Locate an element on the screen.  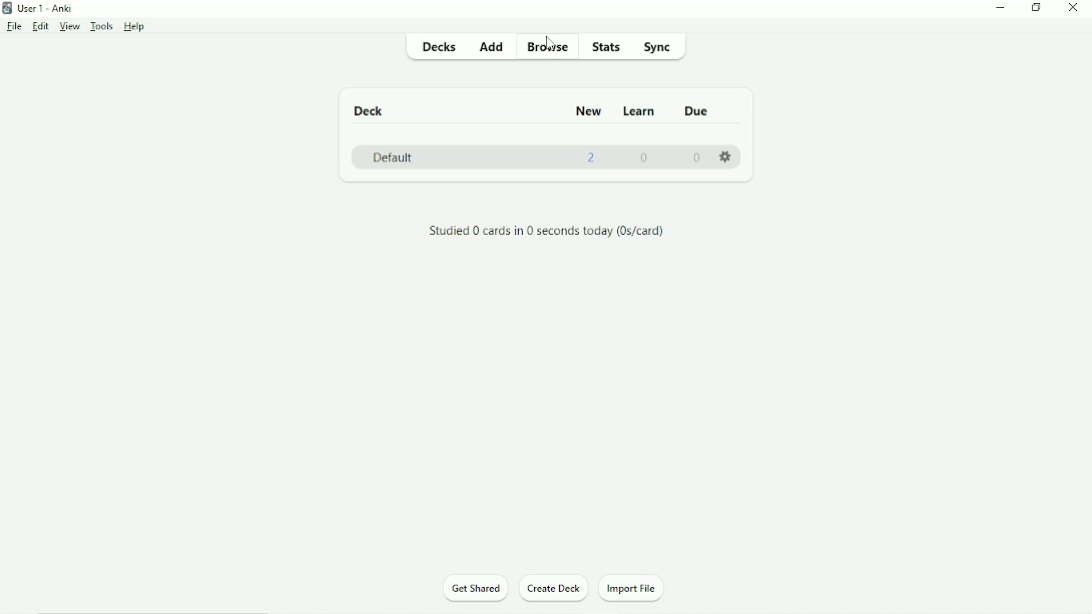
Decks is located at coordinates (440, 48).